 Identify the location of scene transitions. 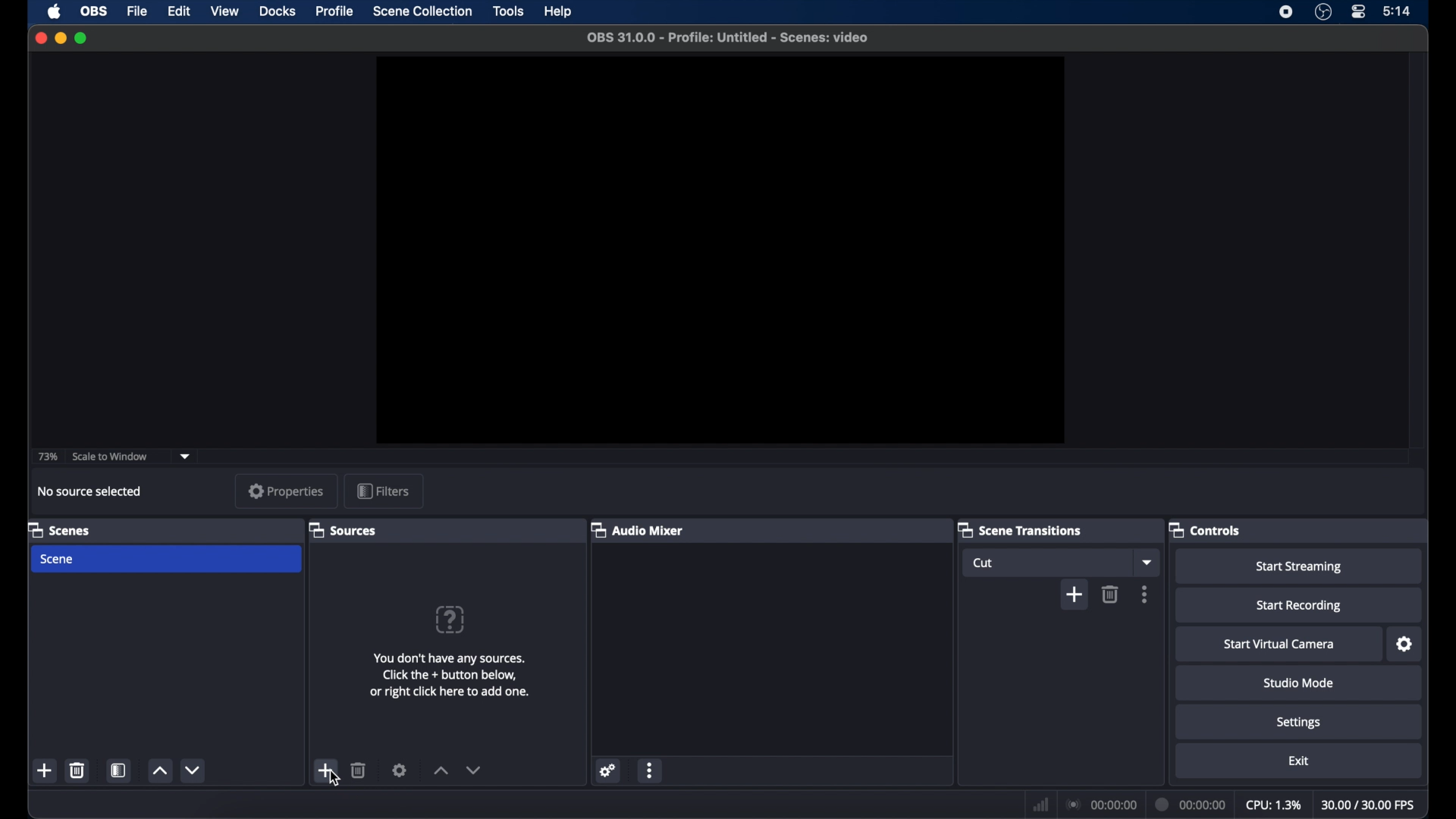
(1019, 529).